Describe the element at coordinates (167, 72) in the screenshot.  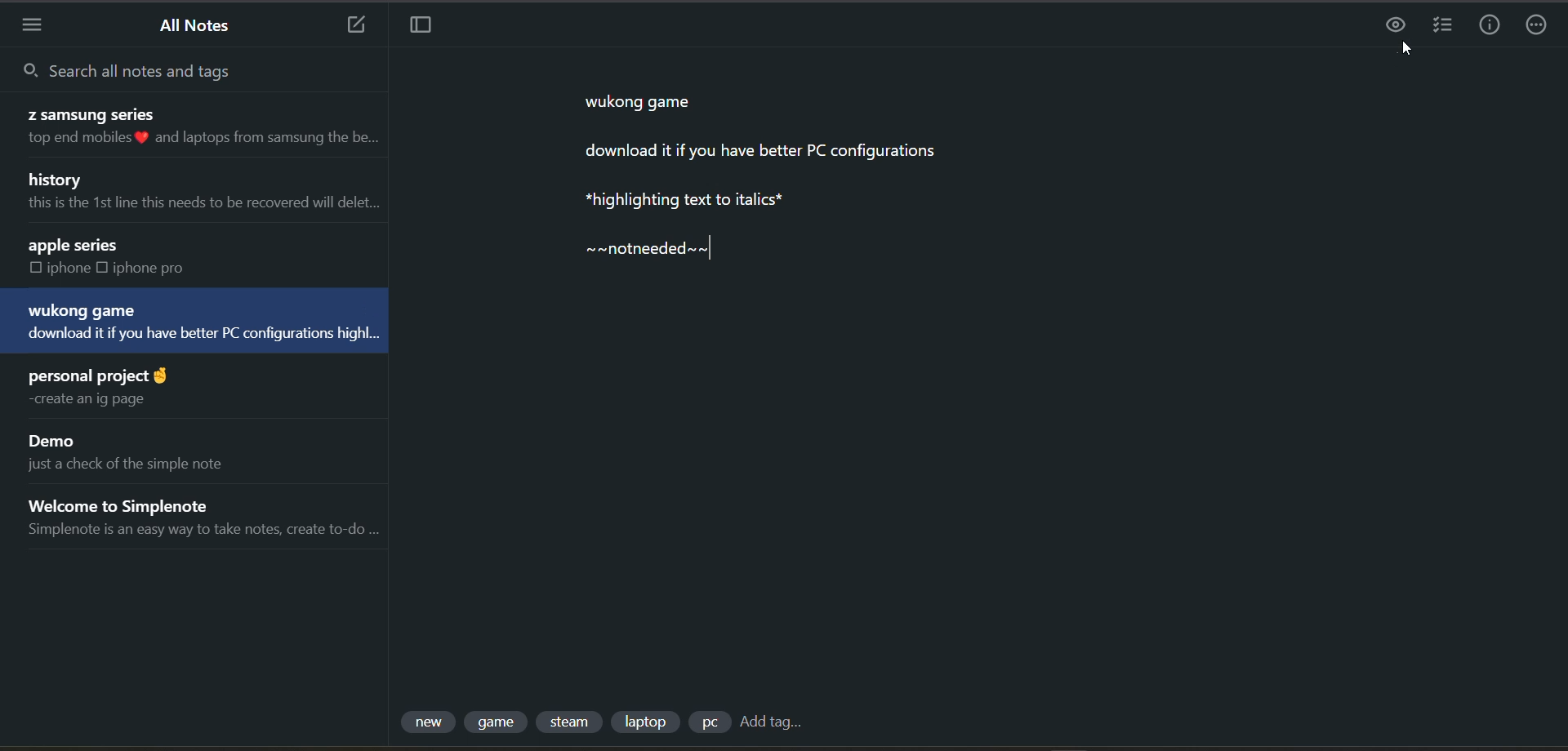
I see `search all notes and tags` at that location.